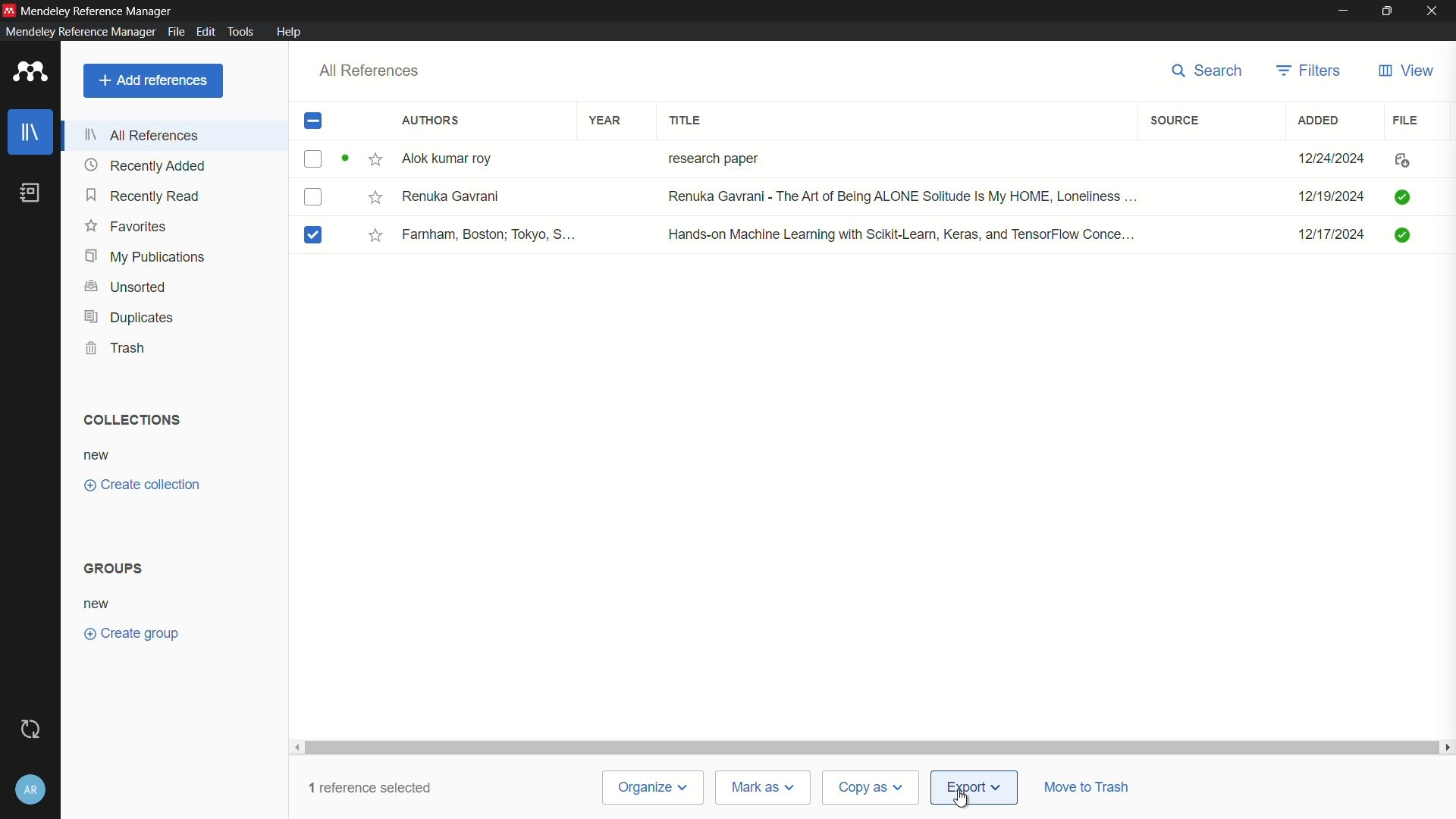 Image resolution: width=1456 pixels, height=819 pixels. Describe the element at coordinates (313, 198) in the screenshot. I see `checkbox` at that location.